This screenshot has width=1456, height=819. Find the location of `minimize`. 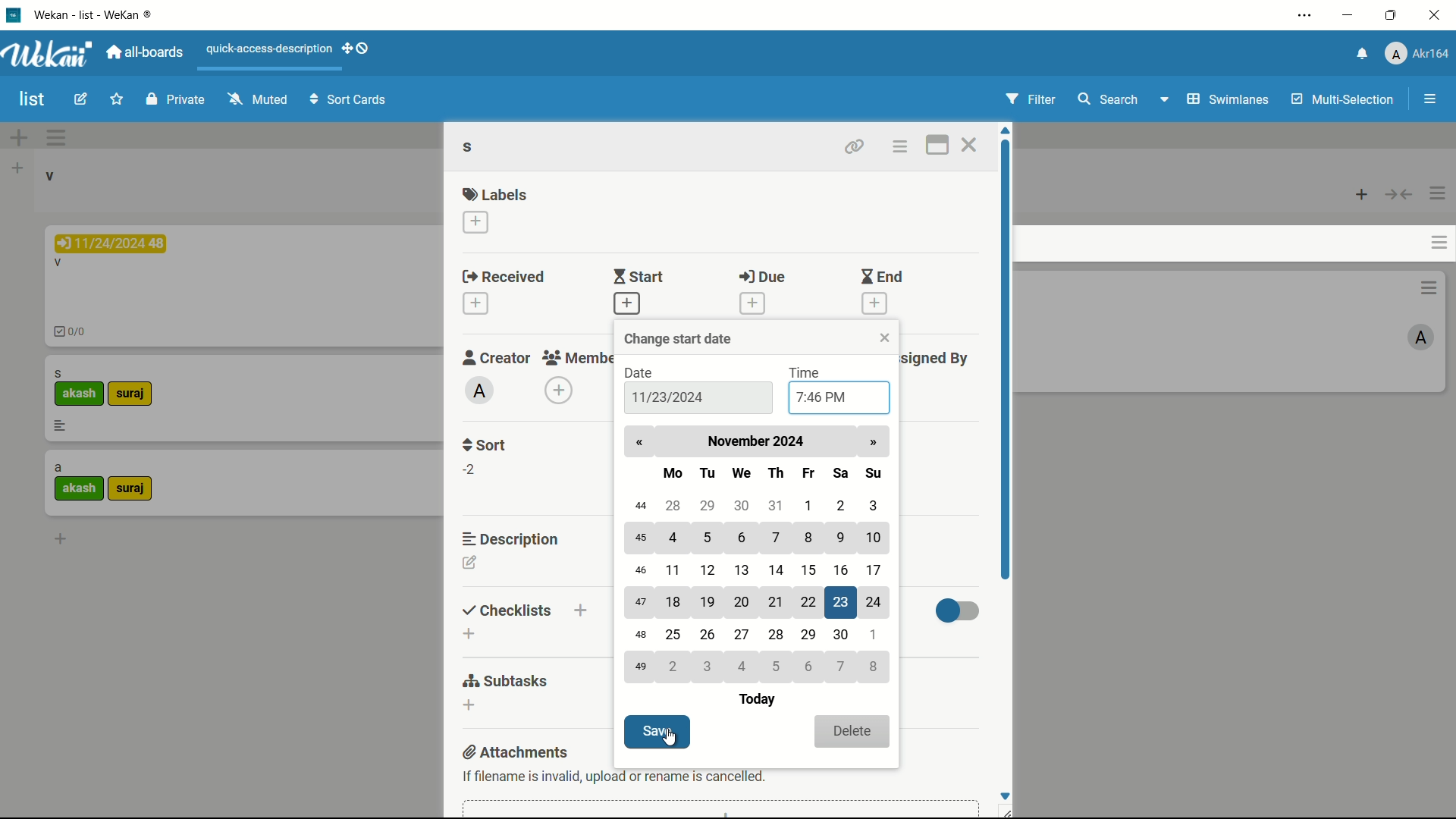

minimize is located at coordinates (1348, 17).